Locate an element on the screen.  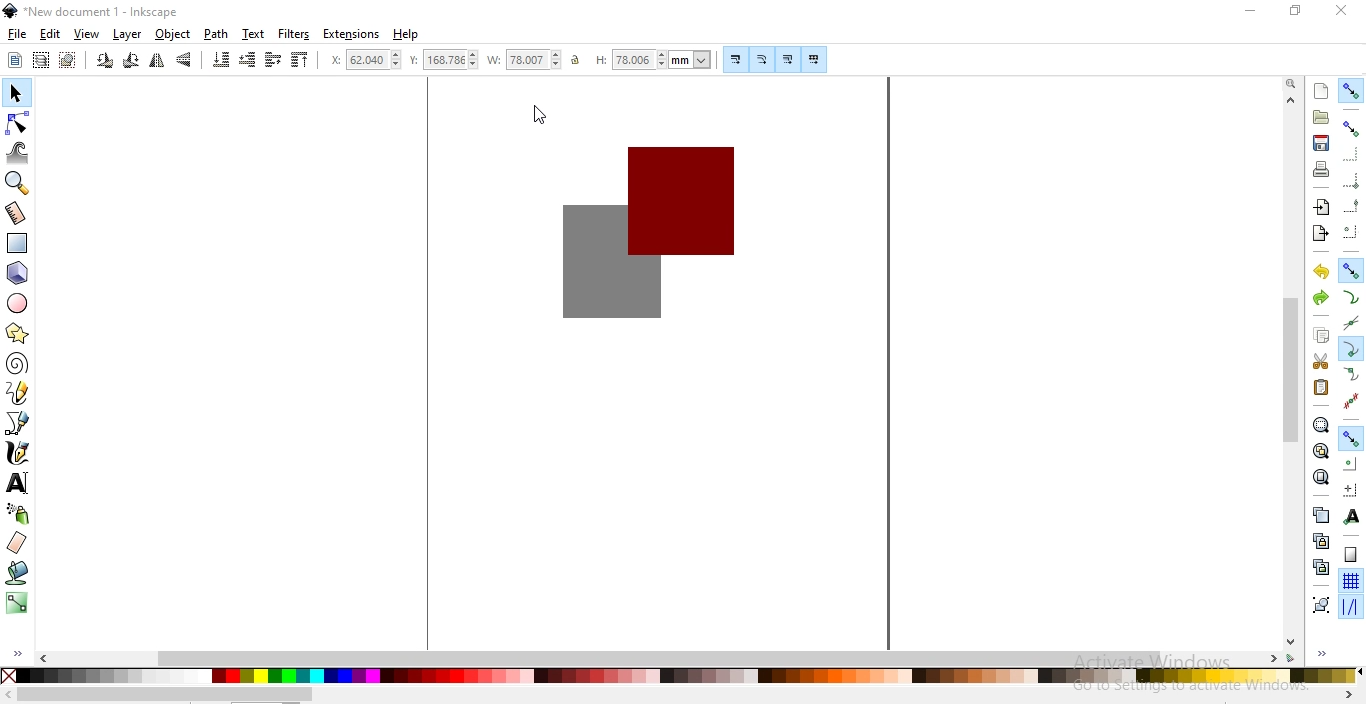
copy is located at coordinates (1321, 335).